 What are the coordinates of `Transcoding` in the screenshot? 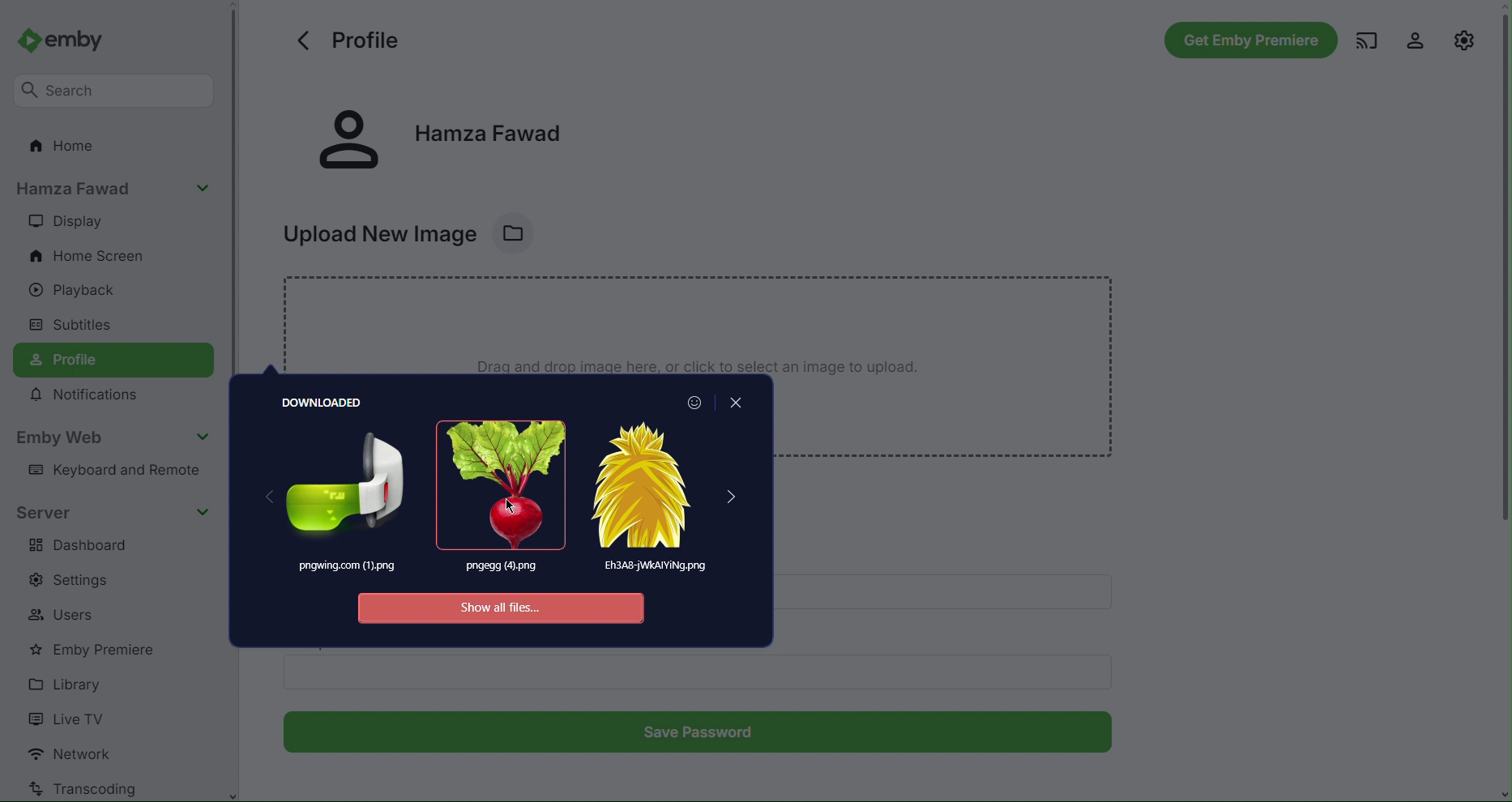 It's located at (83, 788).